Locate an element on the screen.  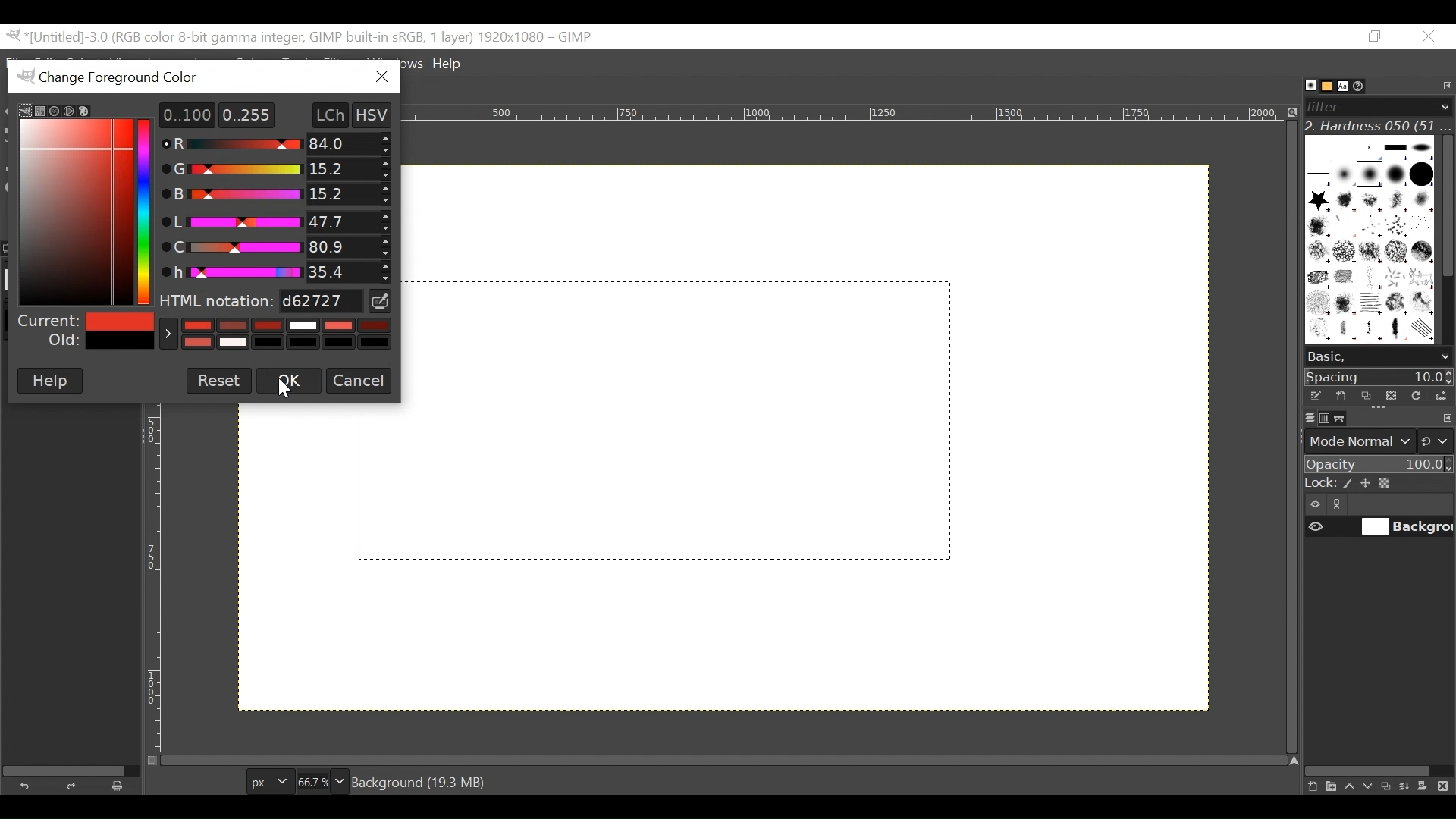
Brushes is located at coordinates (1303, 86).